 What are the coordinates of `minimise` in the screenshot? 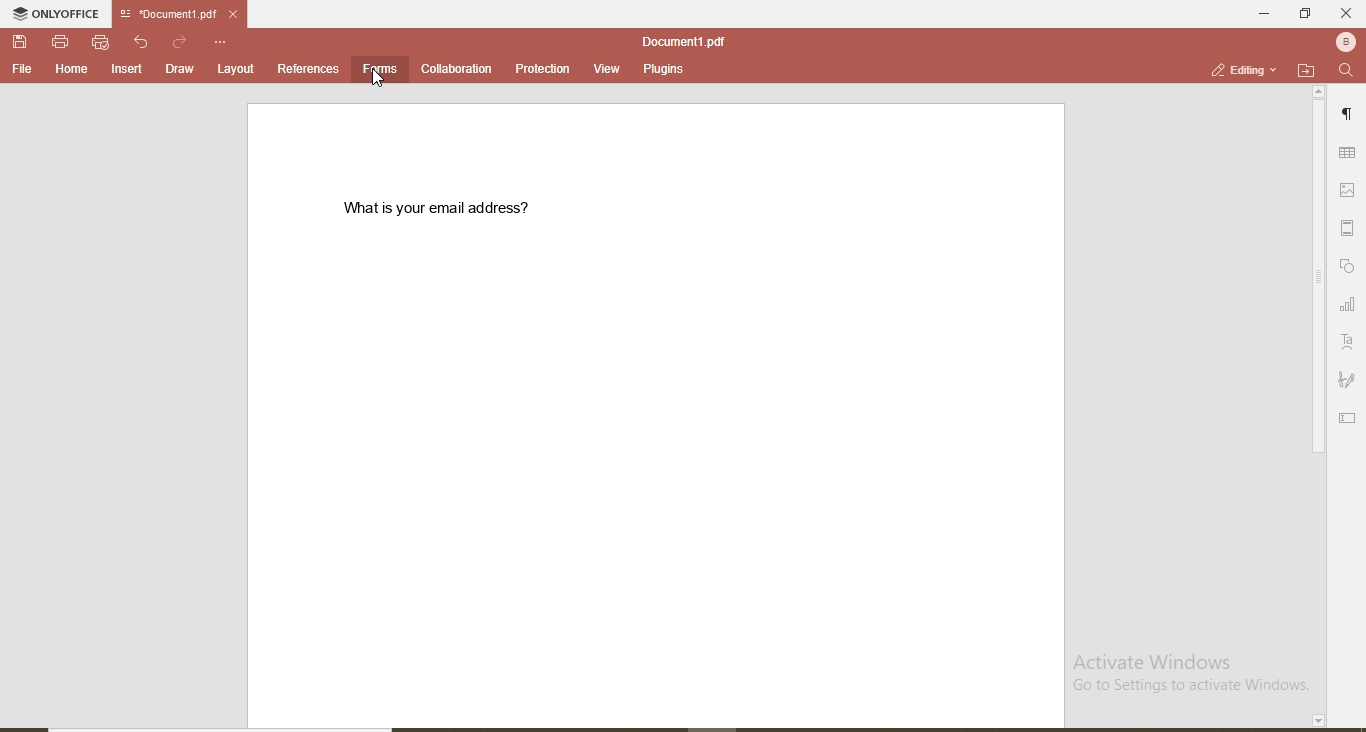 It's located at (1258, 12).